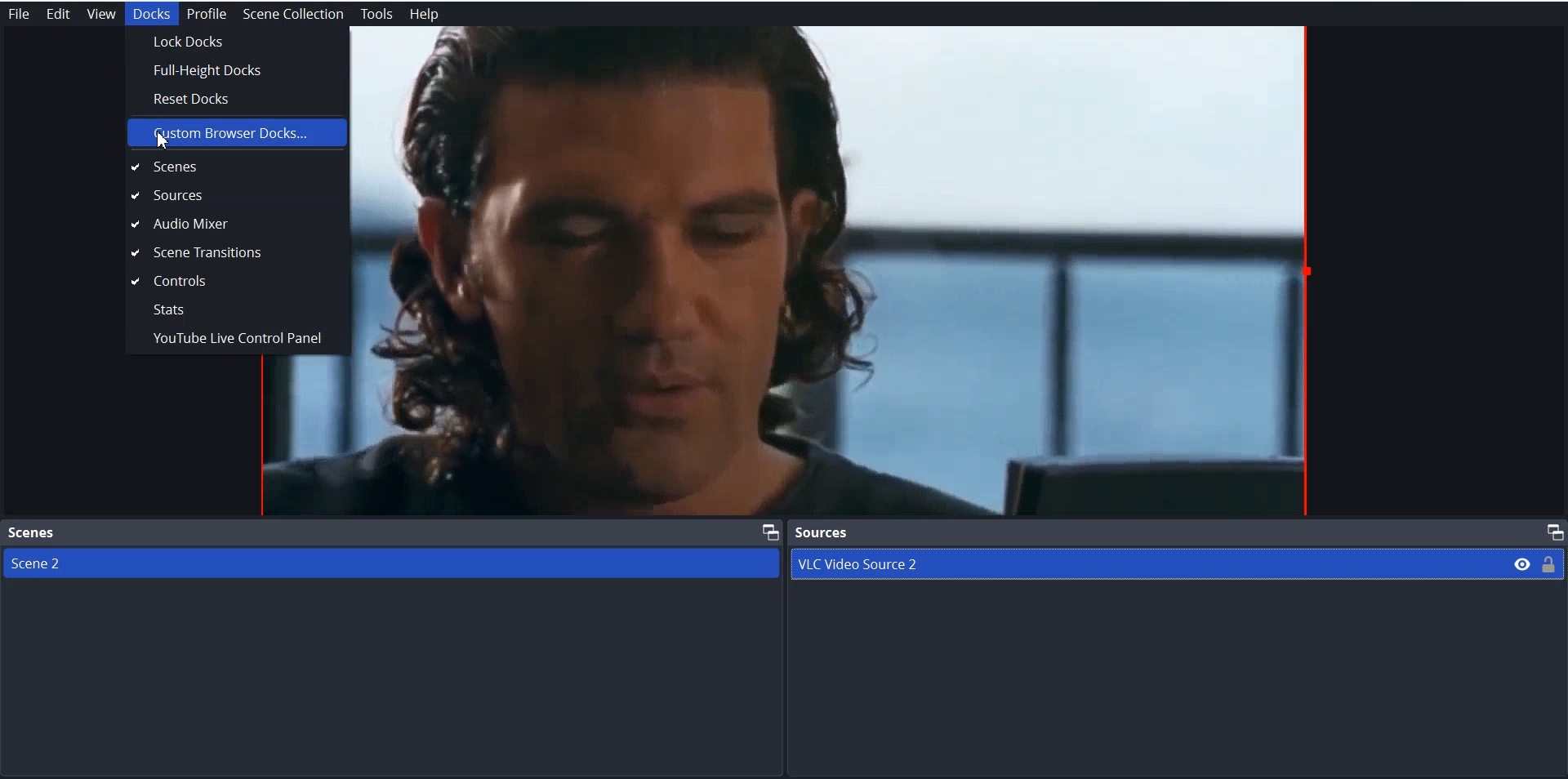 This screenshot has width=1568, height=779. What do you see at coordinates (237, 283) in the screenshot?
I see `Controls` at bounding box center [237, 283].